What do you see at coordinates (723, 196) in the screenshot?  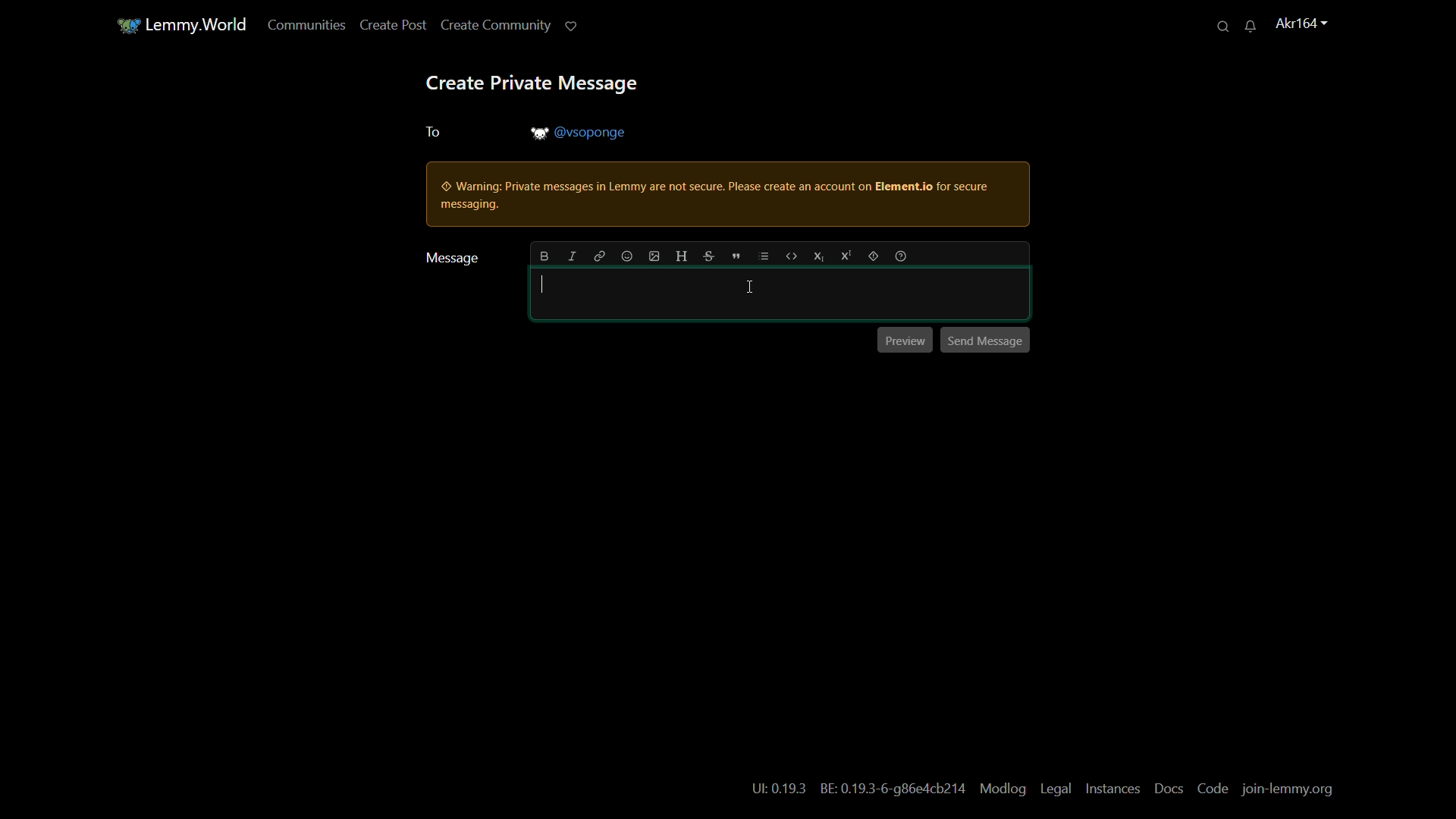 I see `warning pop up` at bounding box center [723, 196].